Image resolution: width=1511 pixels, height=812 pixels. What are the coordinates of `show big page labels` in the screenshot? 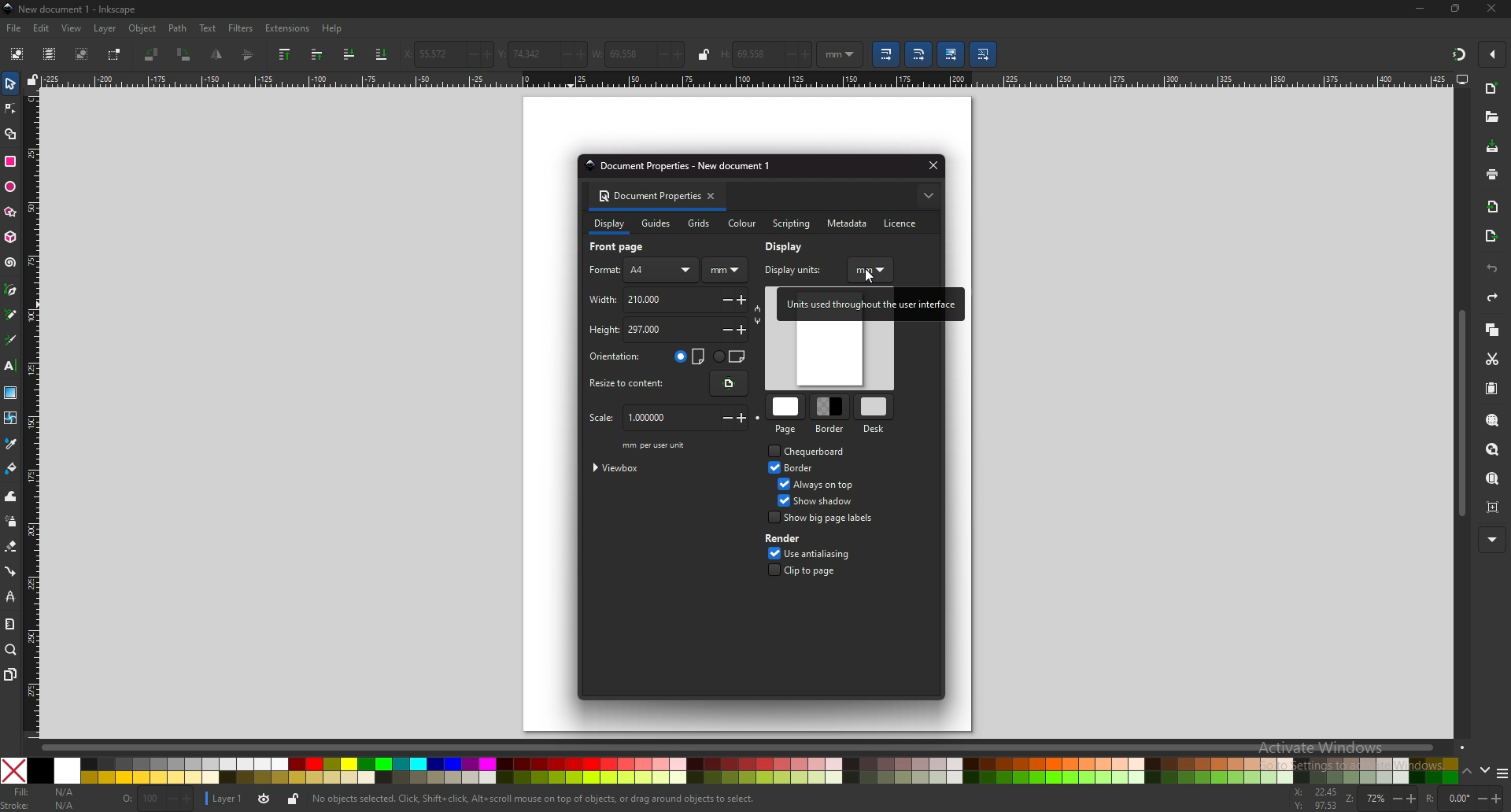 It's located at (830, 517).